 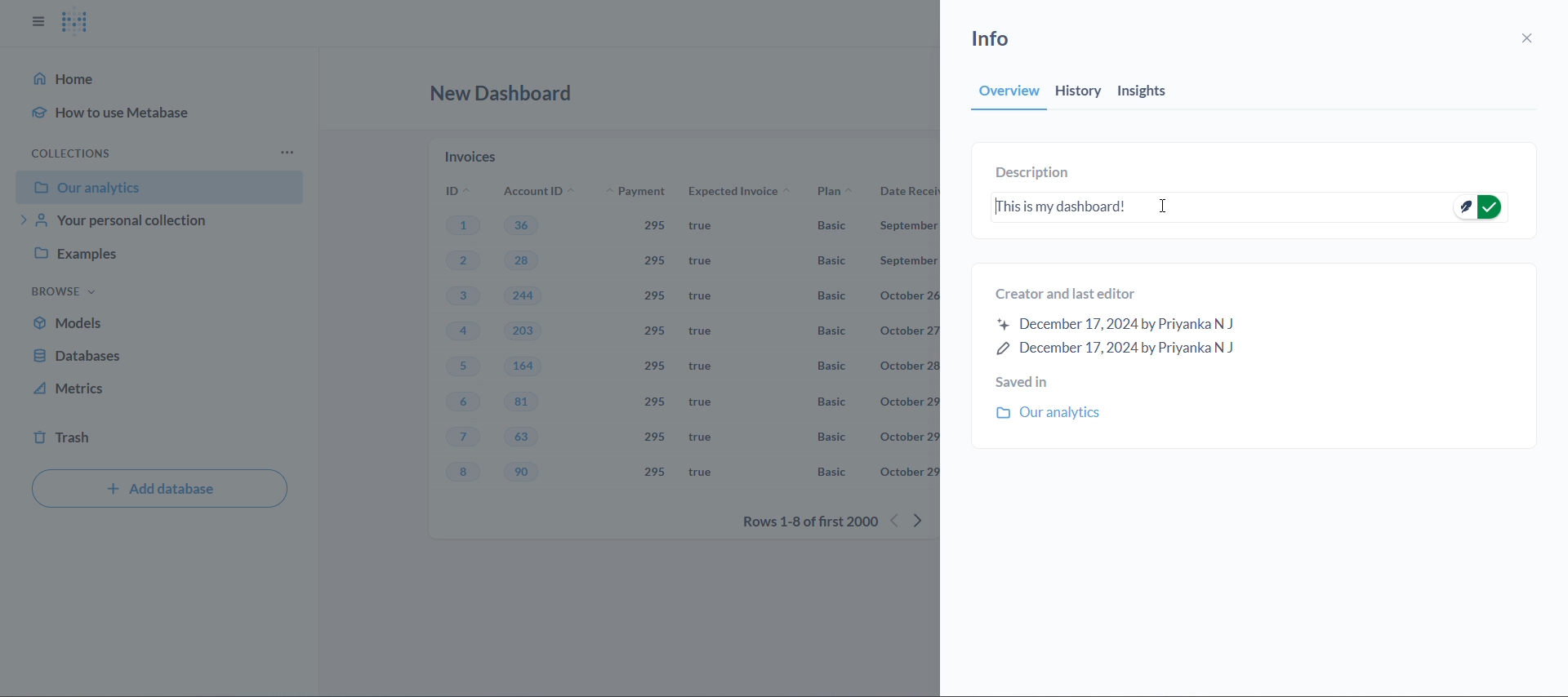 What do you see at coordinates (996, 94) in the screenshot?
I see `overview` at bounding box center [996, 94].